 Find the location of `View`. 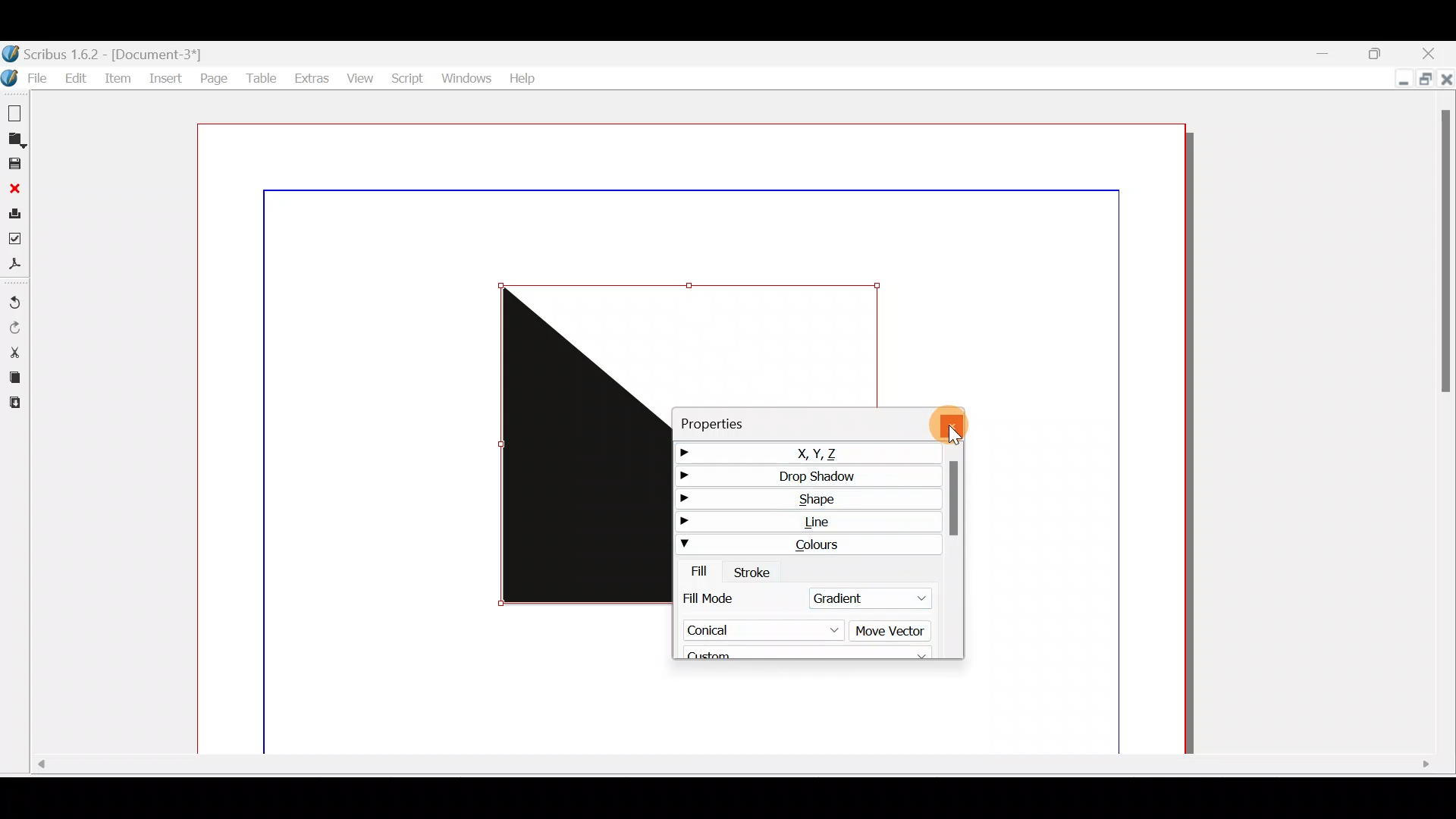

View is located at coordinates (358, 75).